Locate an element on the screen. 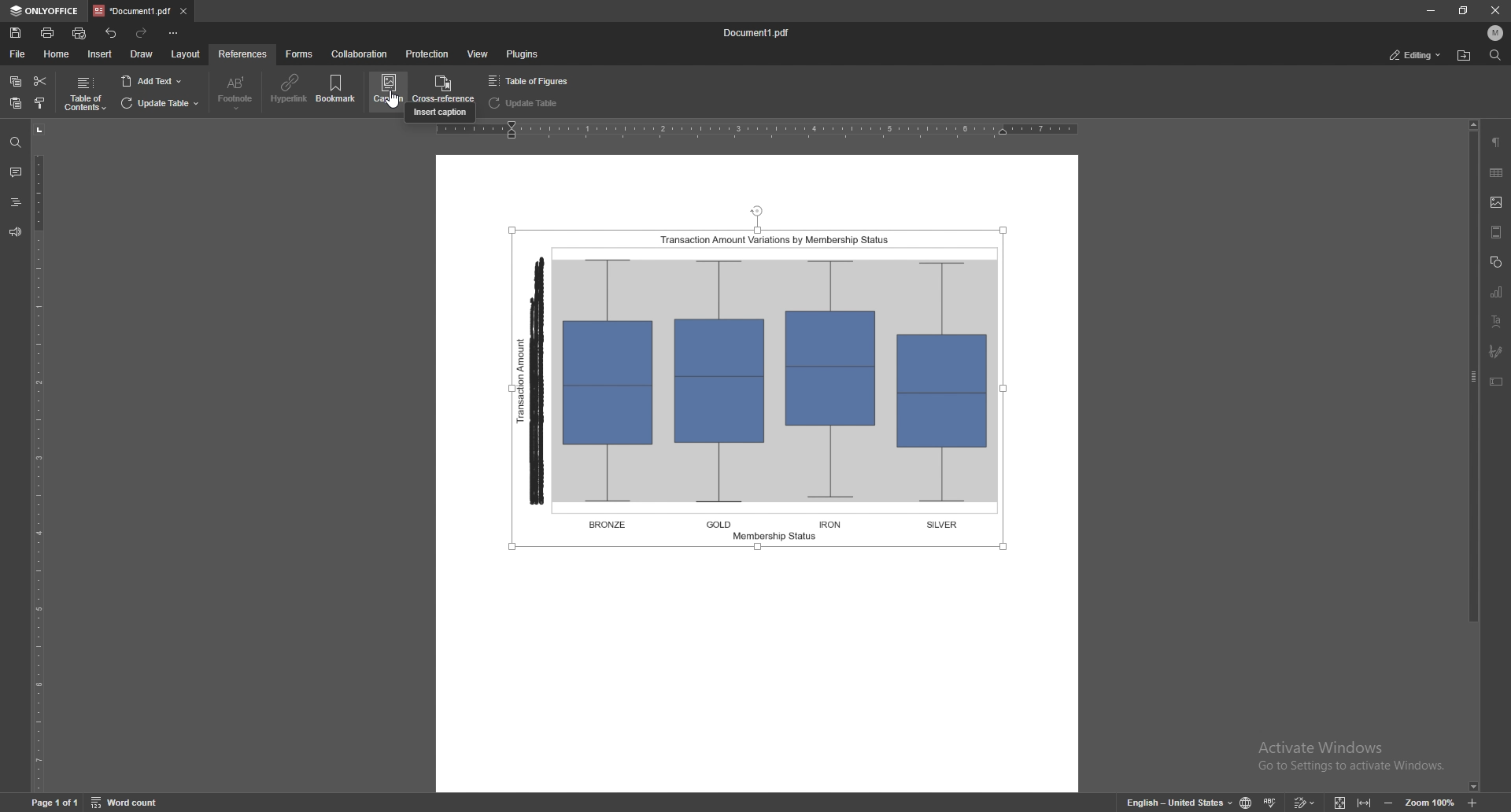 Image resolution: width=1511 pixels, height=812 pixels. tab is located at coordinates (132, 11).